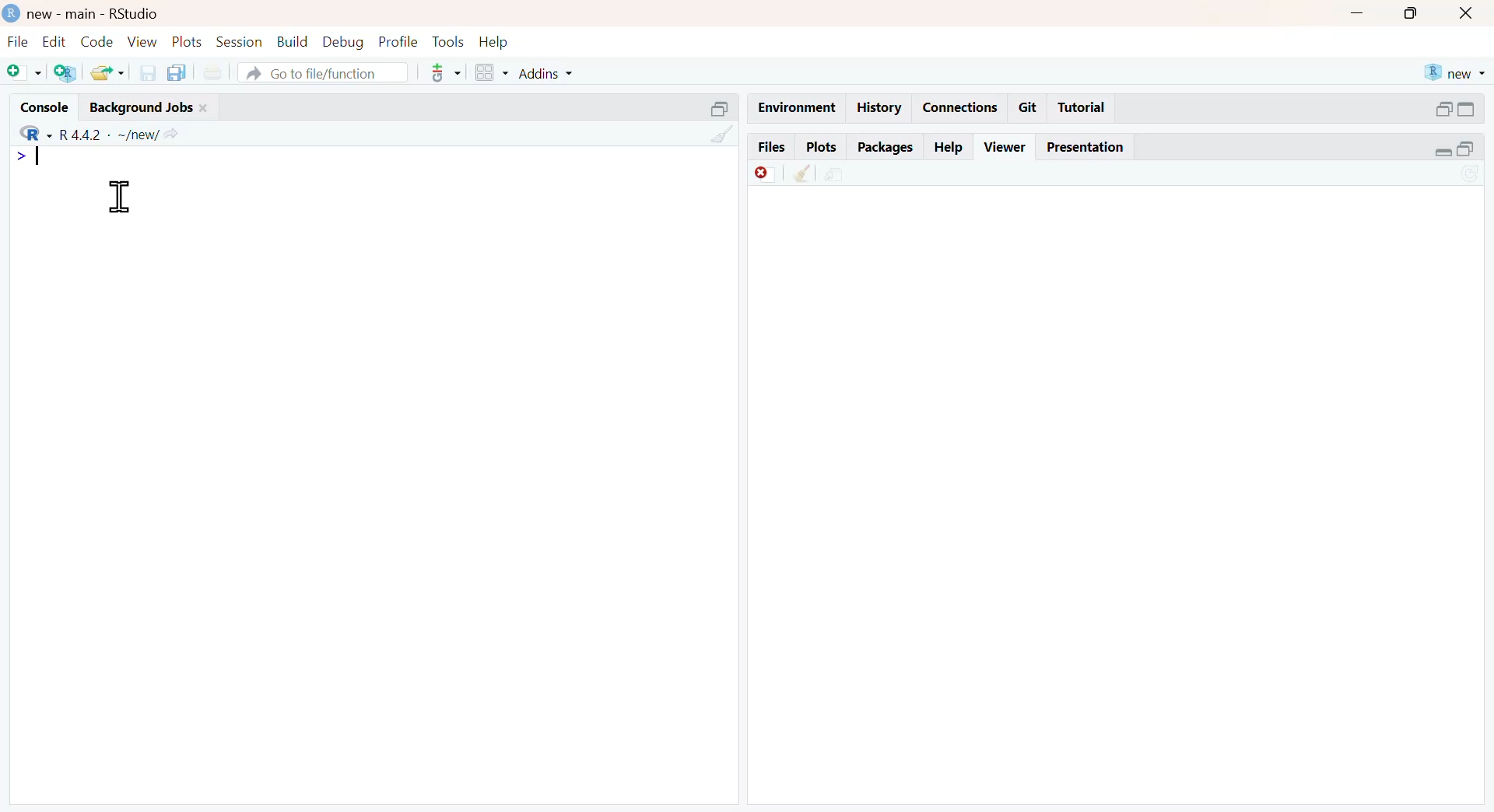 The height and width of the screenshot is (812, 1494). What do you see at coordinates (142, 40) in the screenshot?
I see `view` at bounding box center [142, 40].